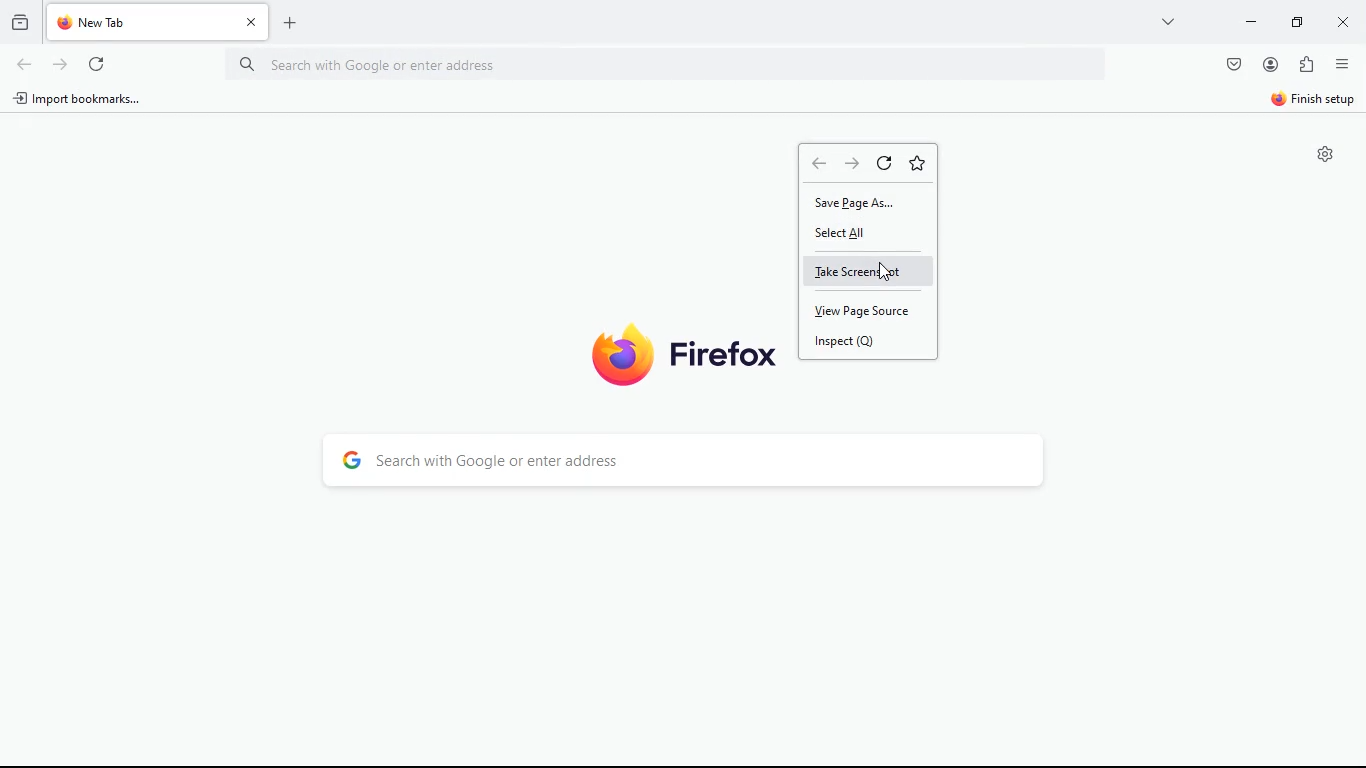 The height and width of the screenshot is (768, 1366). I want to click on more, so click(1169, 21).